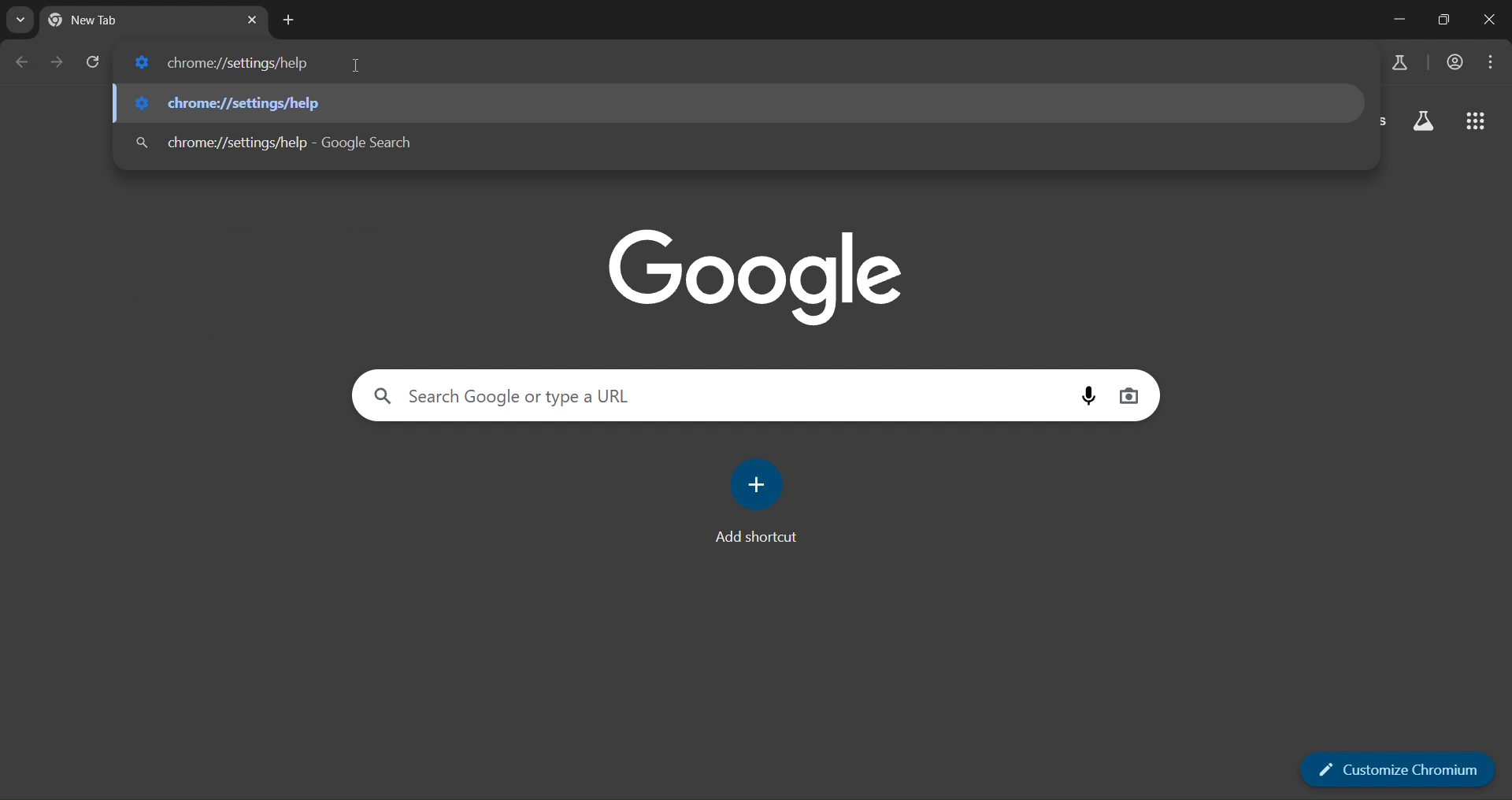 The width and height of the screenshot is (1512, 800). What do you see at coordinates (1399, 769) in the screenshot?
I see `customize chromium` at bounding box center [1399, 769].